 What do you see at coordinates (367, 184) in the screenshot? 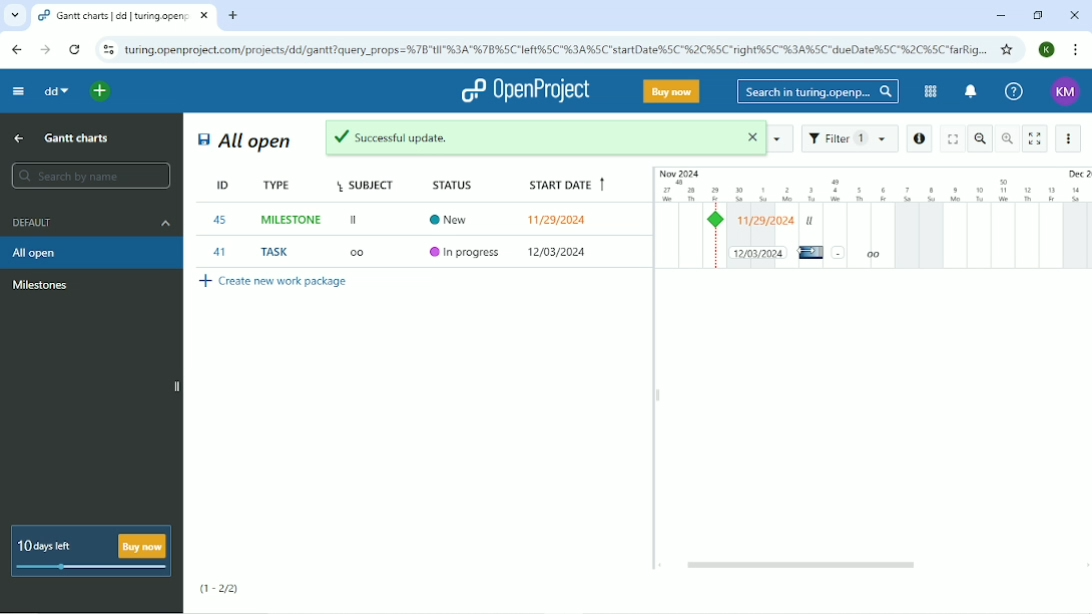
I see `Subject` at bounding box center [367, 184].